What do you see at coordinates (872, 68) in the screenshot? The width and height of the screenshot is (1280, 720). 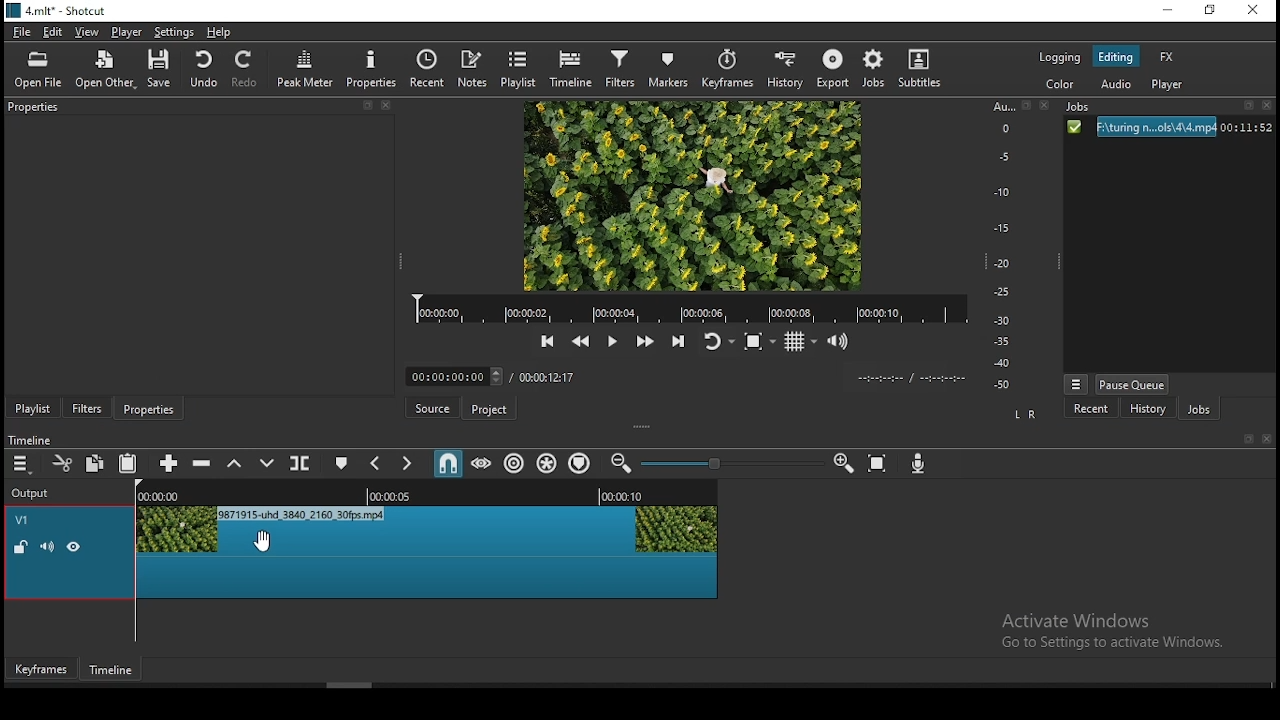 I see `jobs` at bounding box center [872, 68].